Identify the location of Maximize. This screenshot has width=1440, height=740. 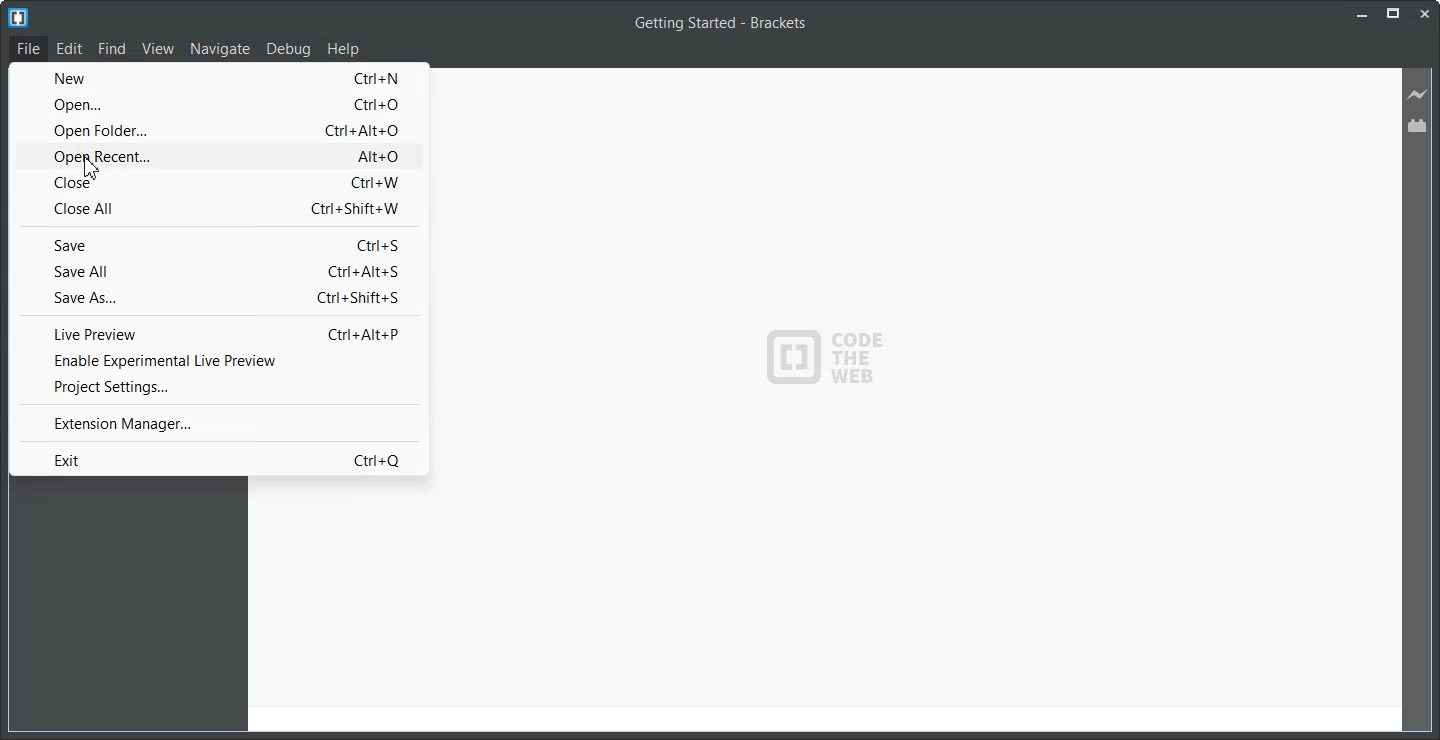
(1394, 15).